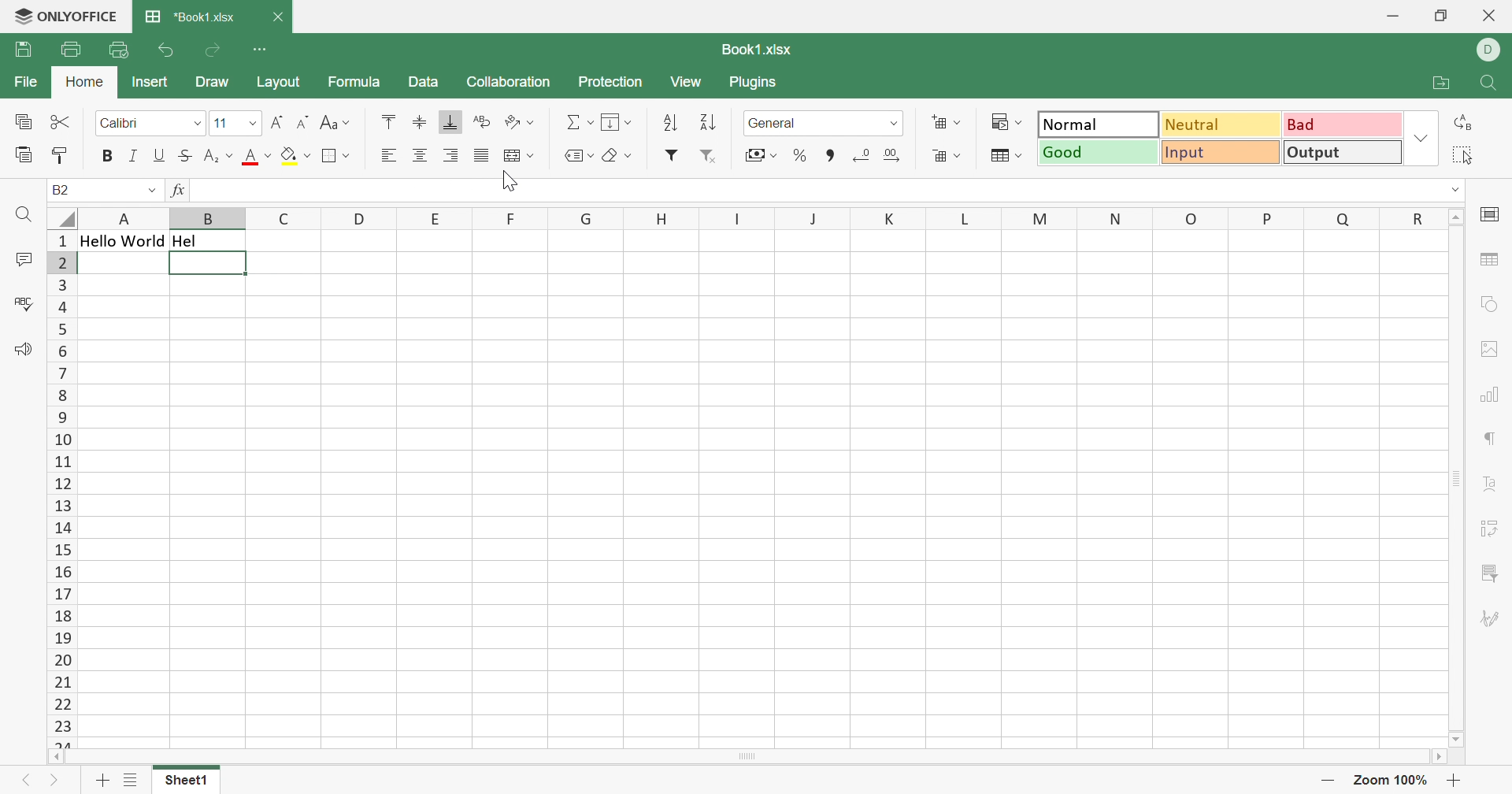  Describe the element at coordinates (1100, 124) in the screenshot. I see `Normal` at that location.